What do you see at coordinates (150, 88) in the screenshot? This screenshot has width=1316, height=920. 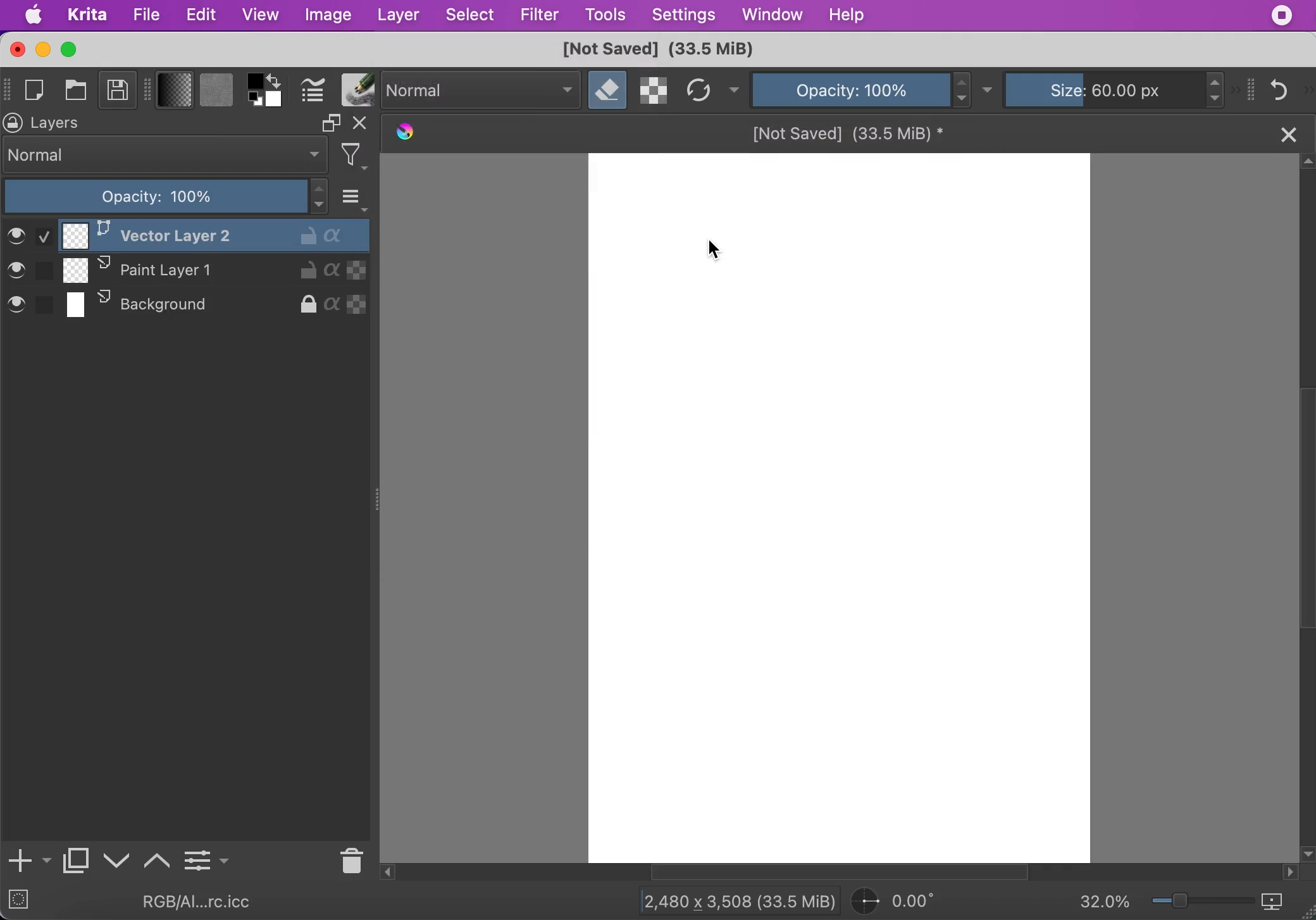 I see `show/hide tool` at bounding box center [150, 88].